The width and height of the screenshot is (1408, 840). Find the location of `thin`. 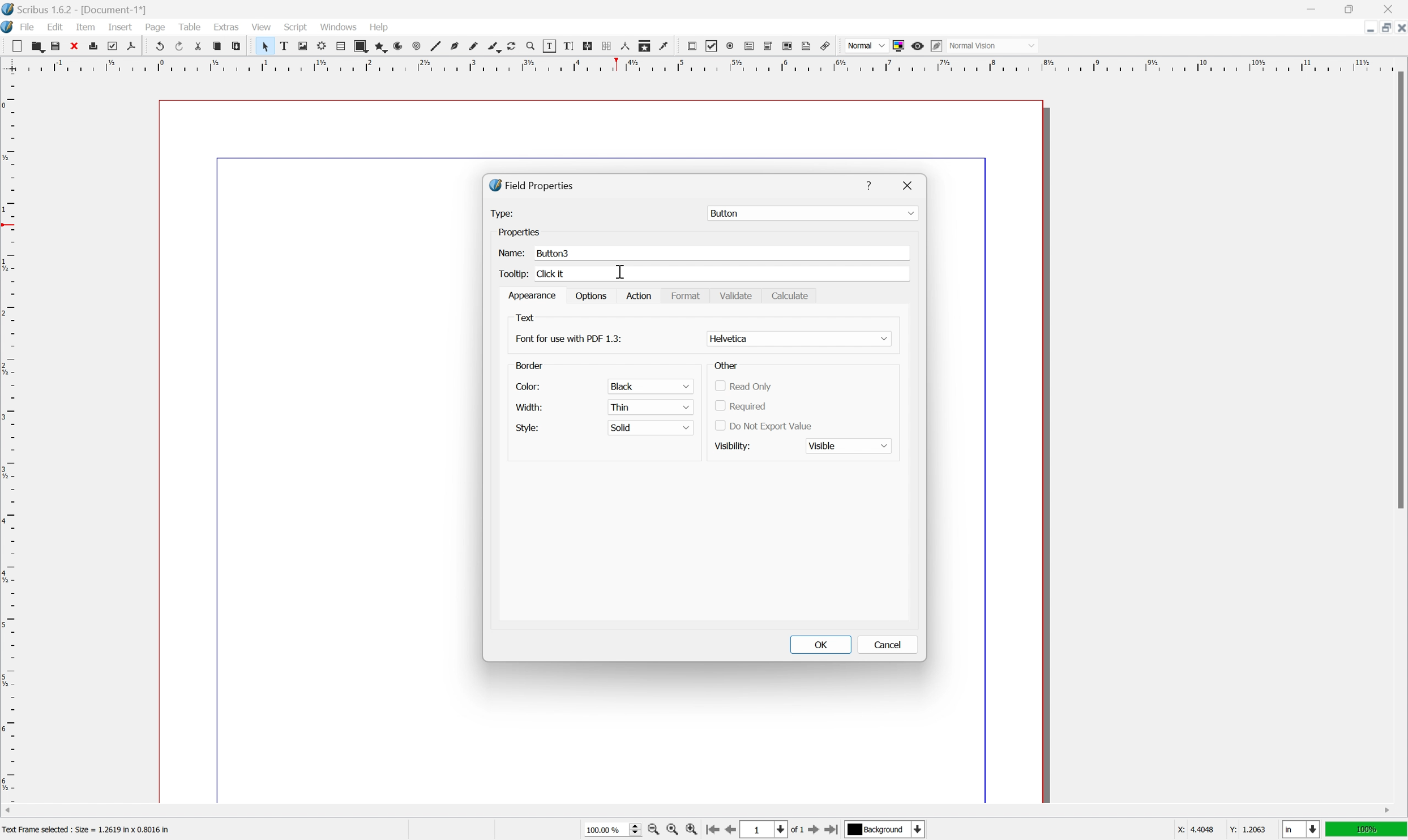

thin is located at coordinates (649, 406).